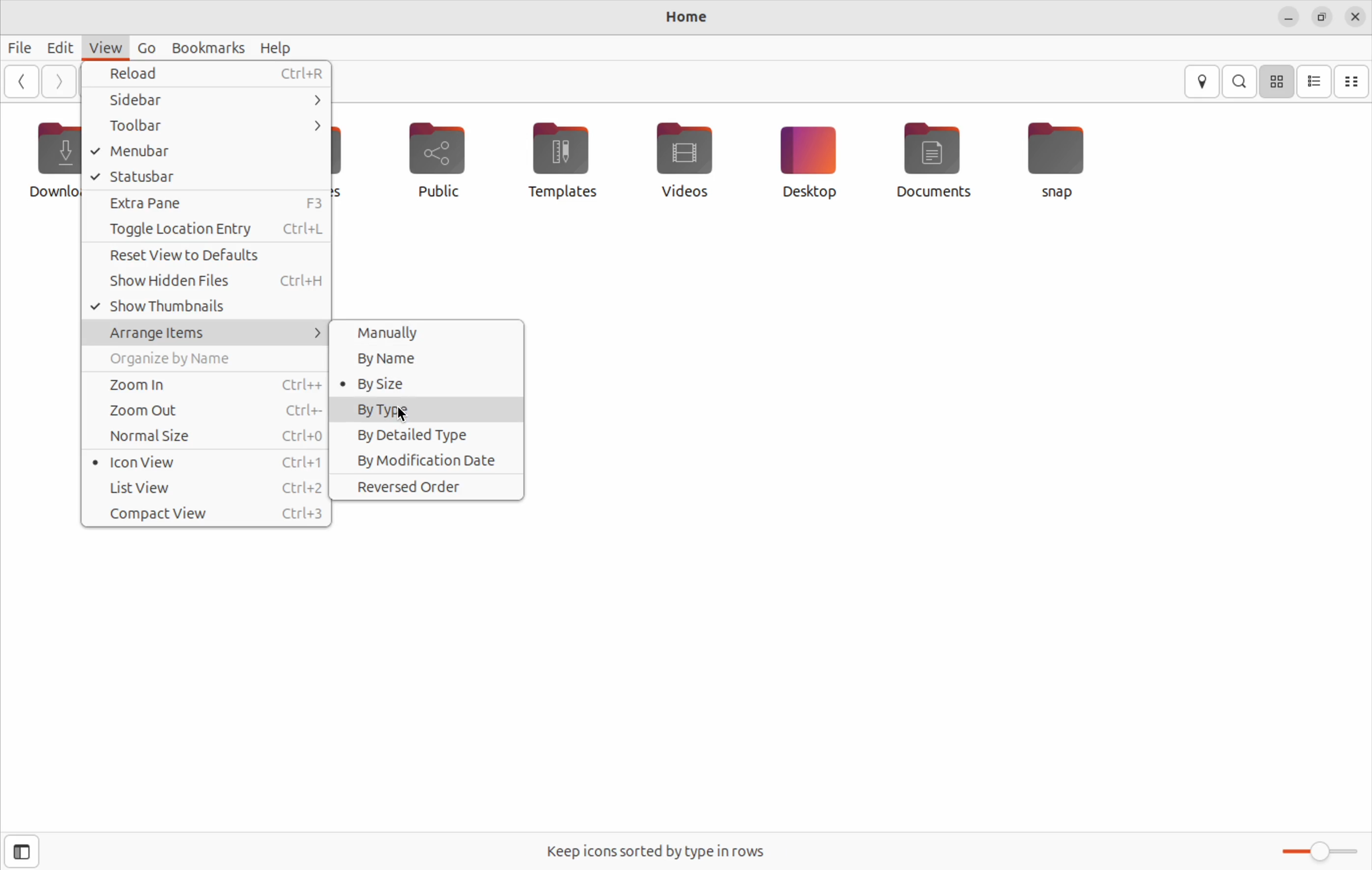 This screenshot has width=1372, height=870. I want to click on compact view, so click(207, 514).